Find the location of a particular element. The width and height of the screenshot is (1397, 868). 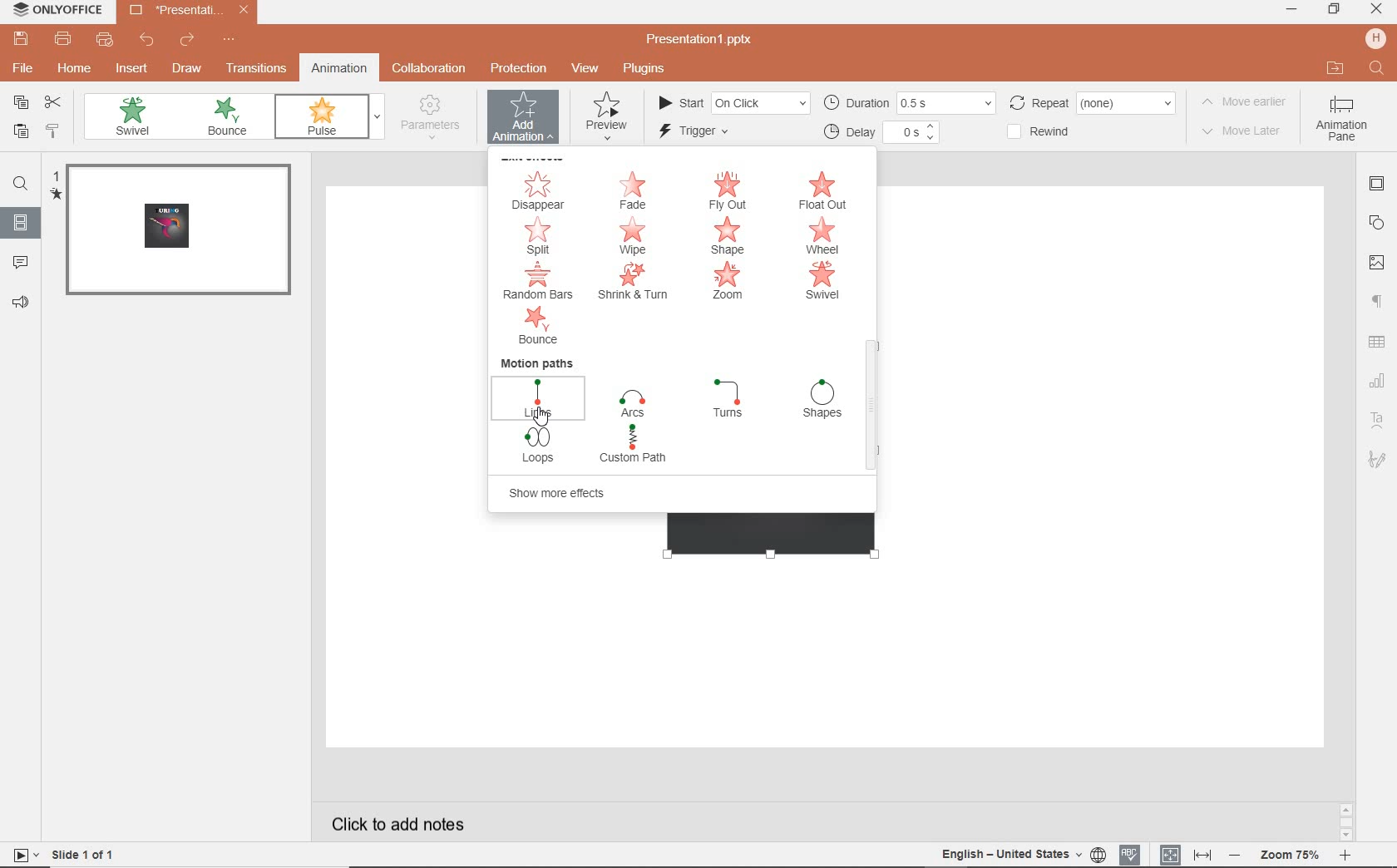

comments is located at coordinates (21, 264).